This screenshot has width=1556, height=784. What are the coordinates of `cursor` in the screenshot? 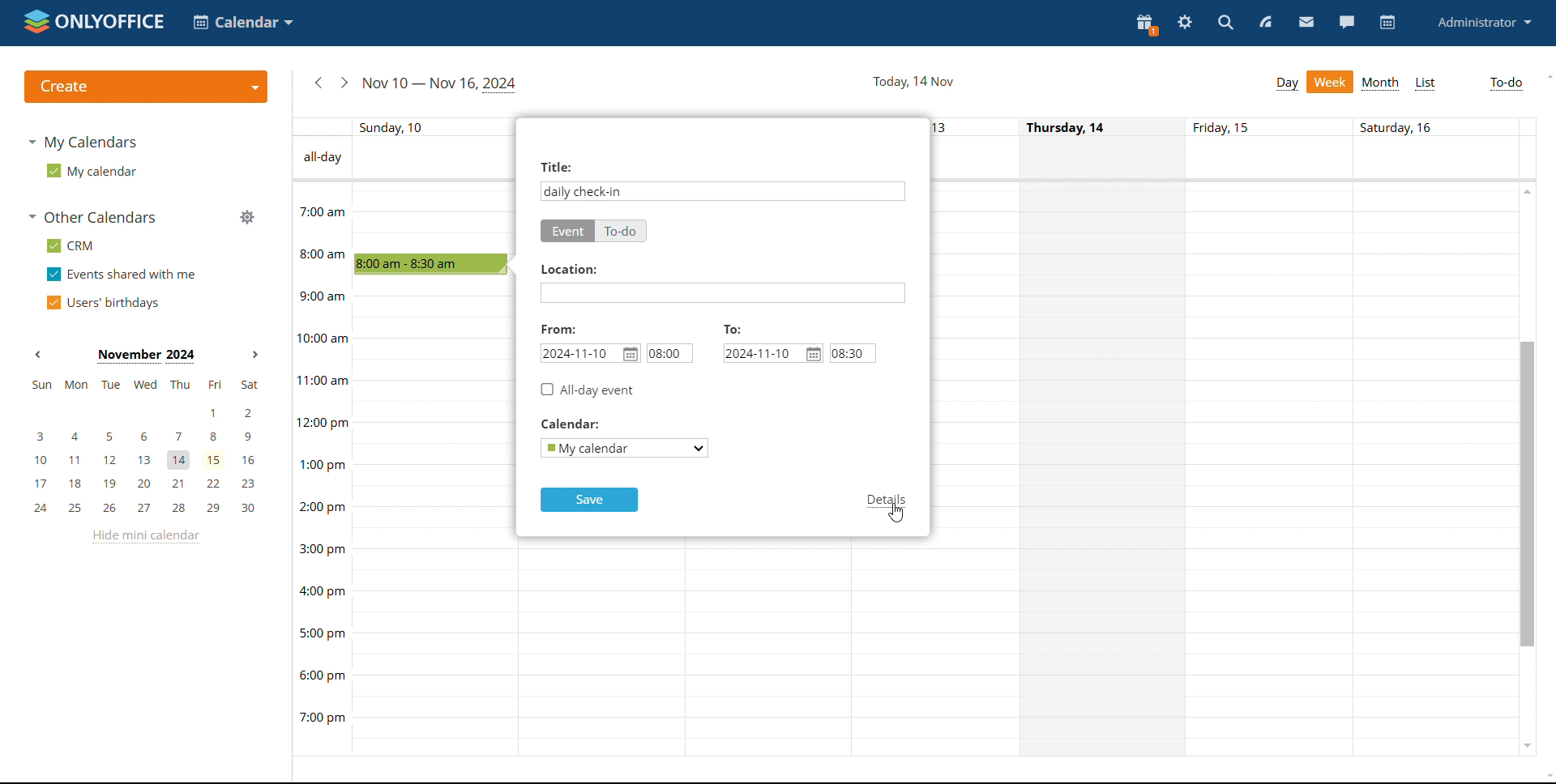 It's located at (898, 513).